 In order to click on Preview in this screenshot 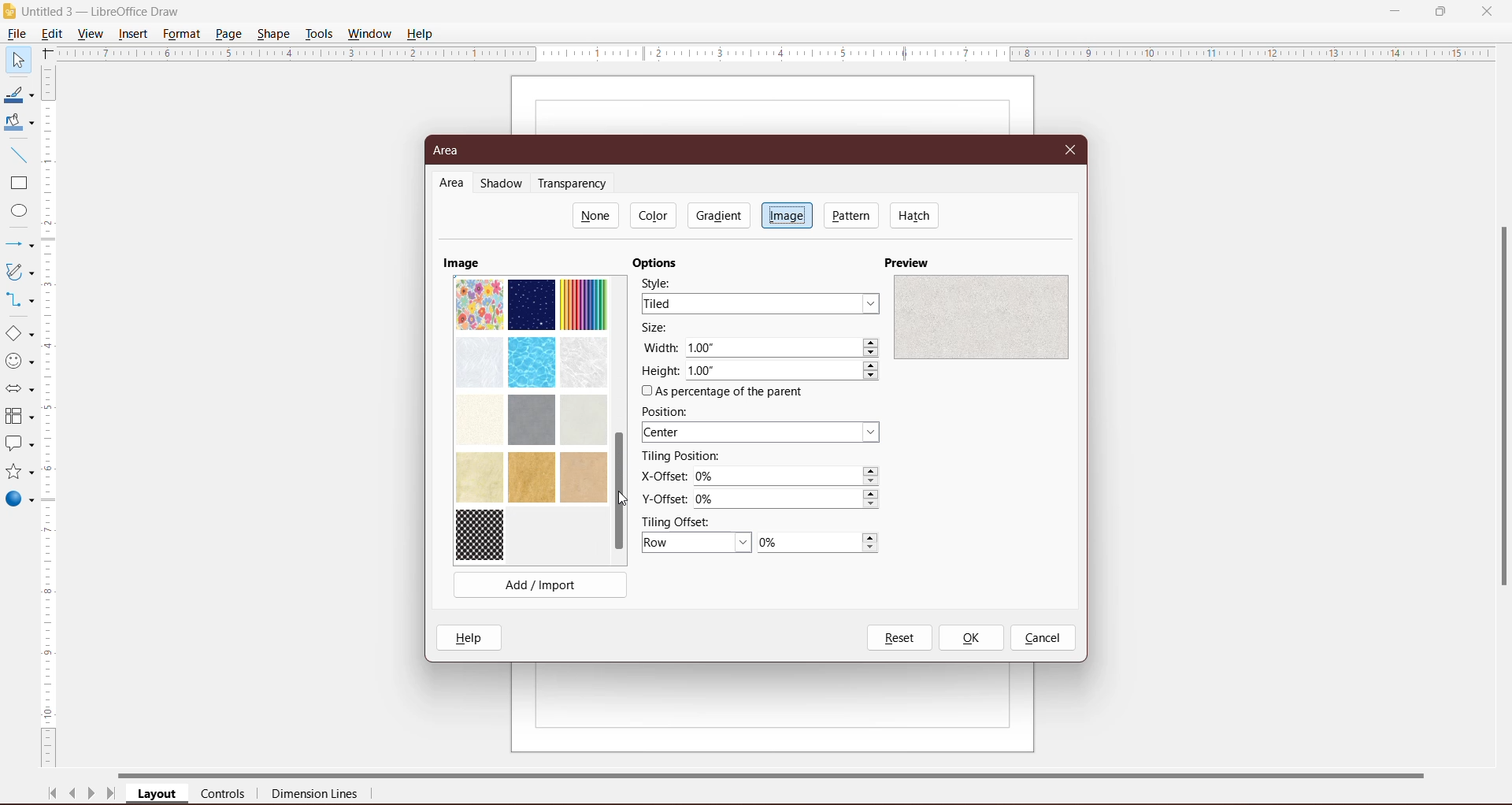, I will do `click(910, 262)`.